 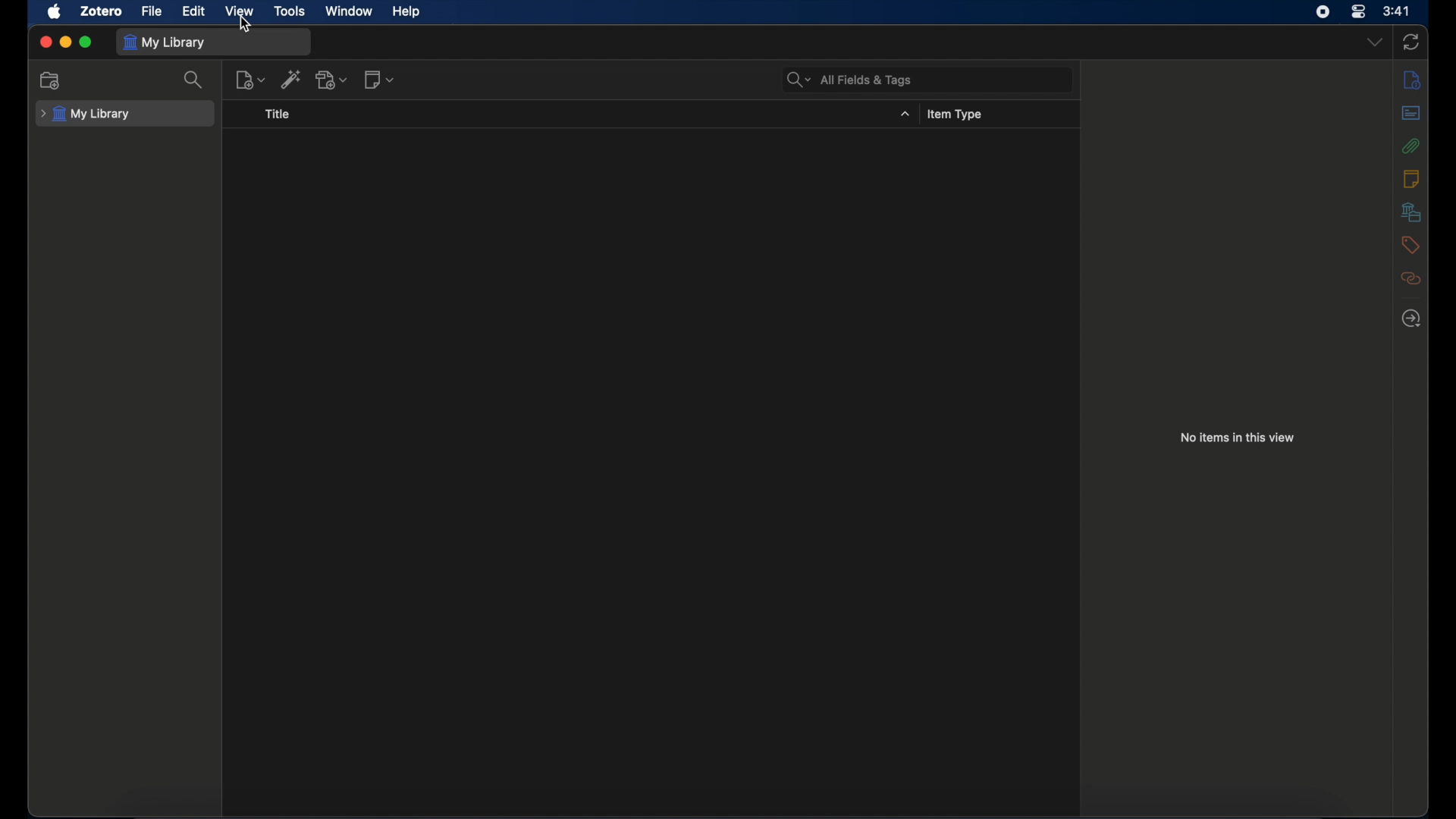 What do you see at coordinates (1410, 317) in the screenshot?
I see `locate` at bounding box center [1410, 317].